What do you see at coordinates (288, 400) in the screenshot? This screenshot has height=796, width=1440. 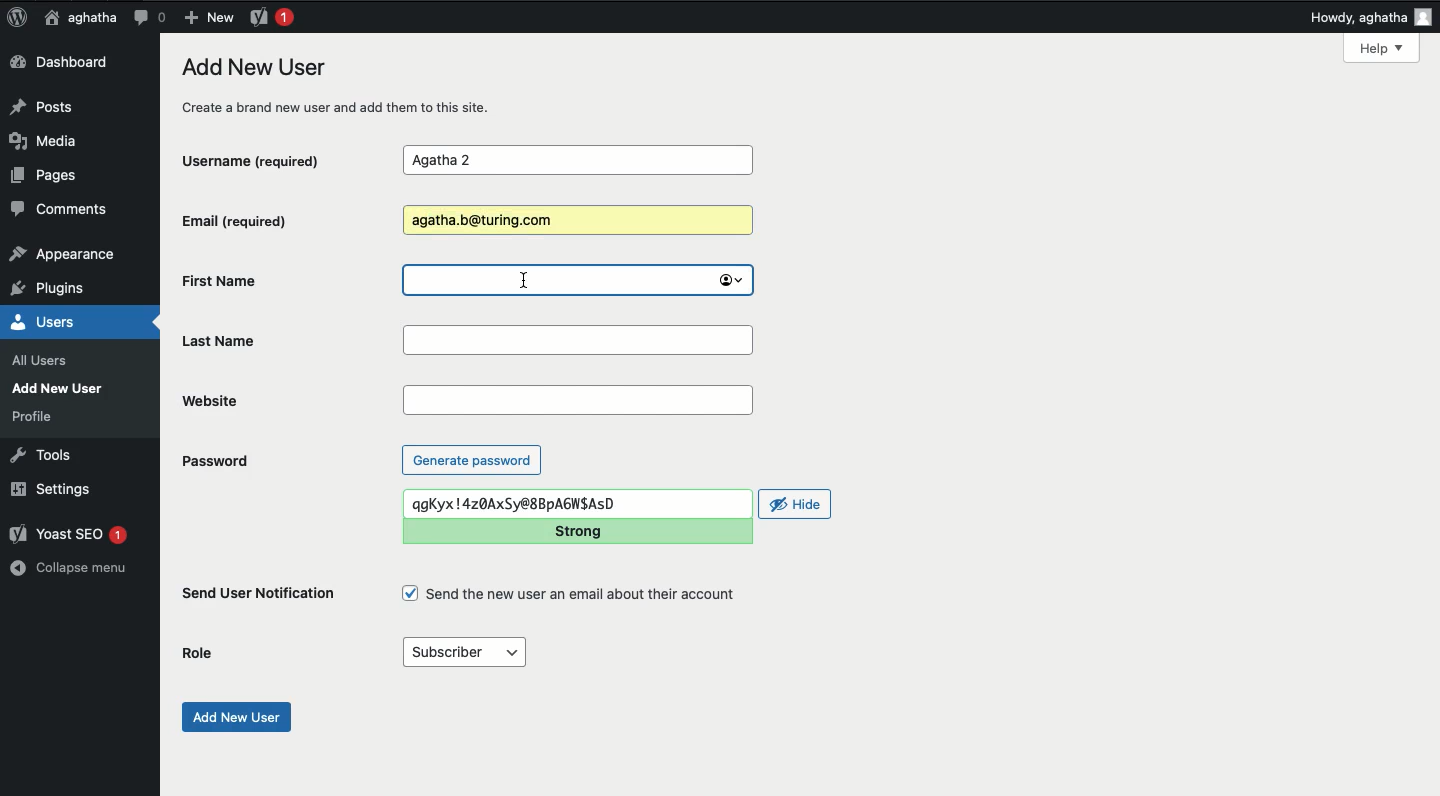 I see `Website` at bounding box center [288, 400].